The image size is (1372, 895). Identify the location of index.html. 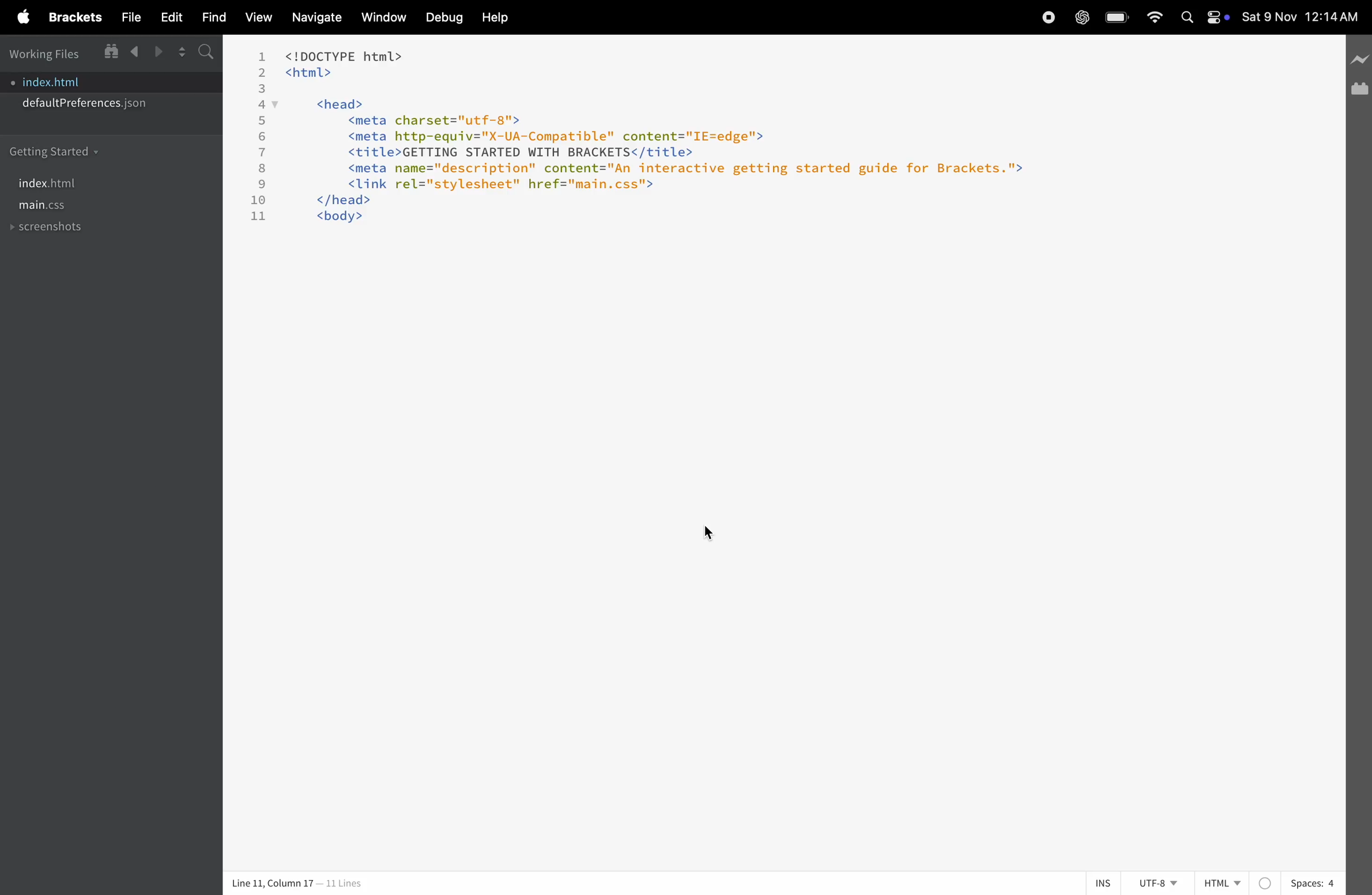
(89, 183).